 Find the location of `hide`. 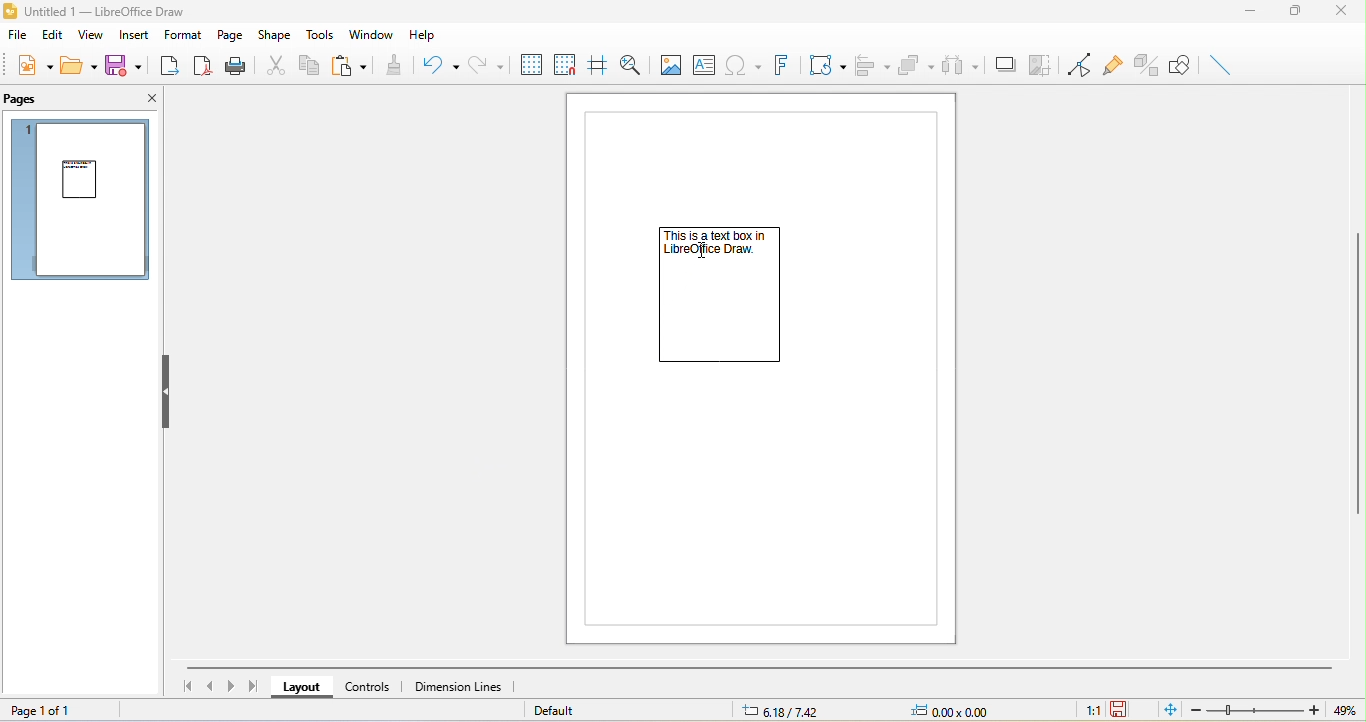

hide is located at coordinates (168, 392).